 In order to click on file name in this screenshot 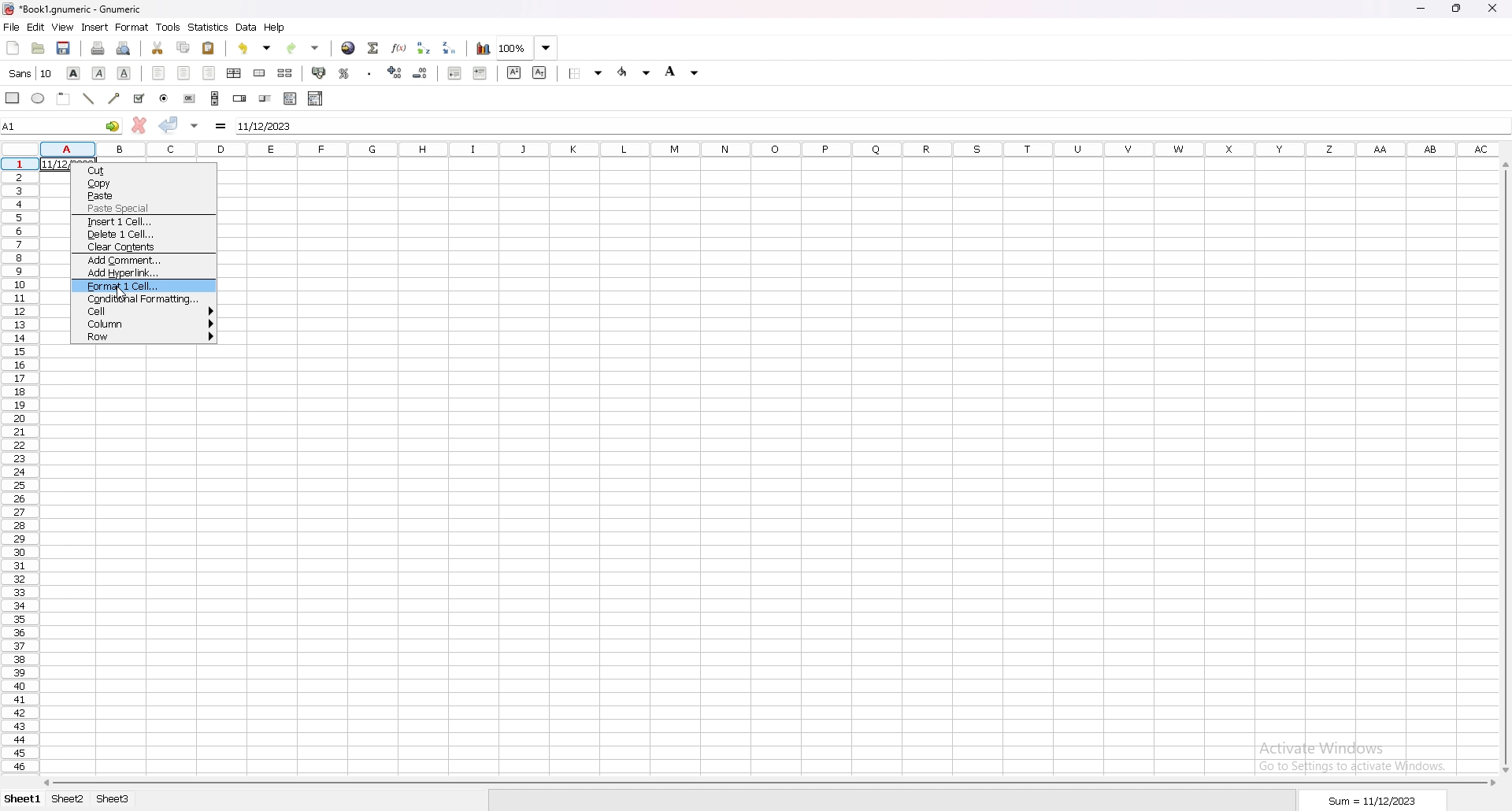, I will do `click(74, 10)`.